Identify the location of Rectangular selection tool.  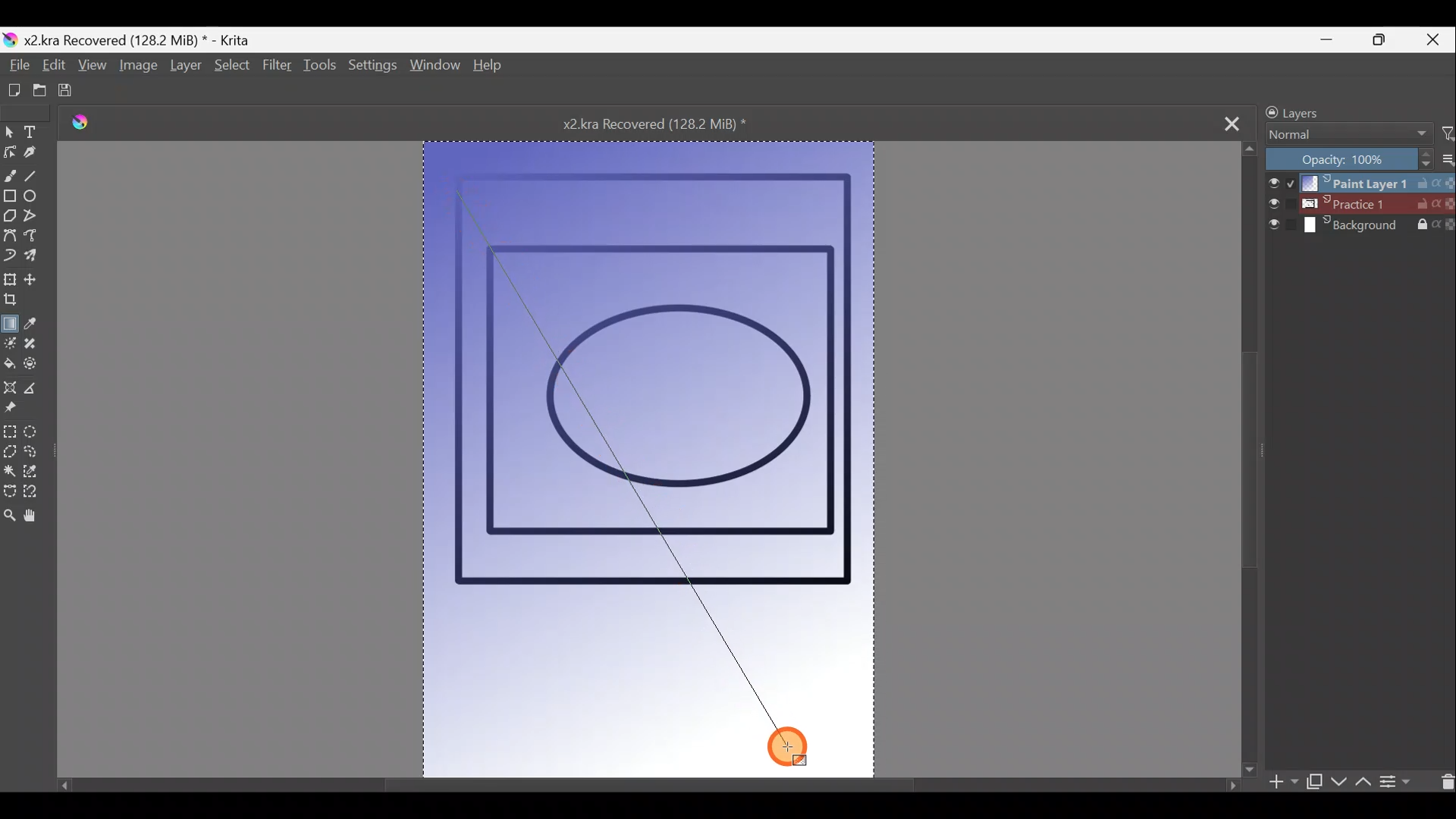
(9, 434).